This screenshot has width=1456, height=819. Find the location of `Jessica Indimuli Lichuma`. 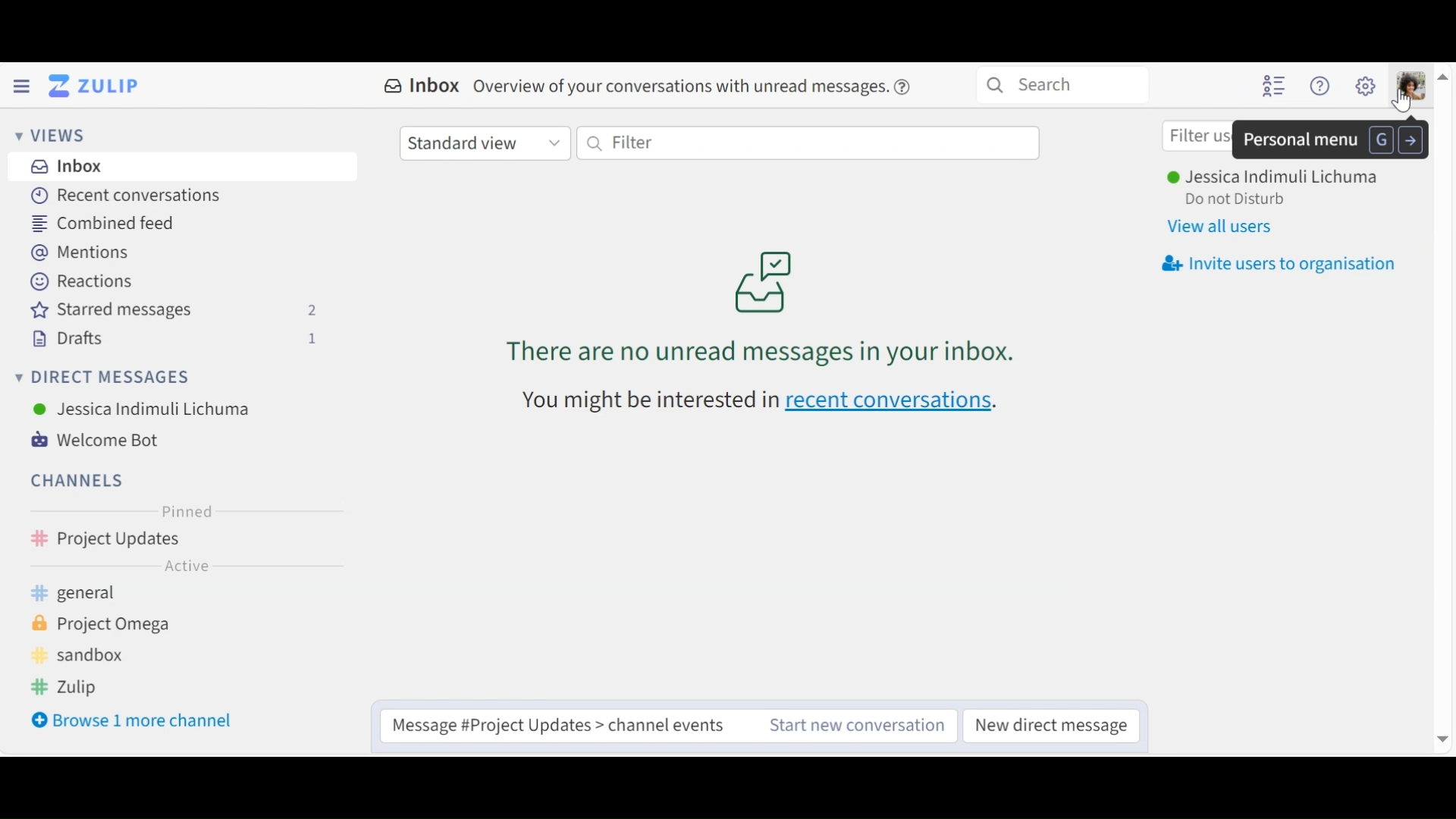

Jessica Indimuli Lichuma is located at coordinates (143, 409).